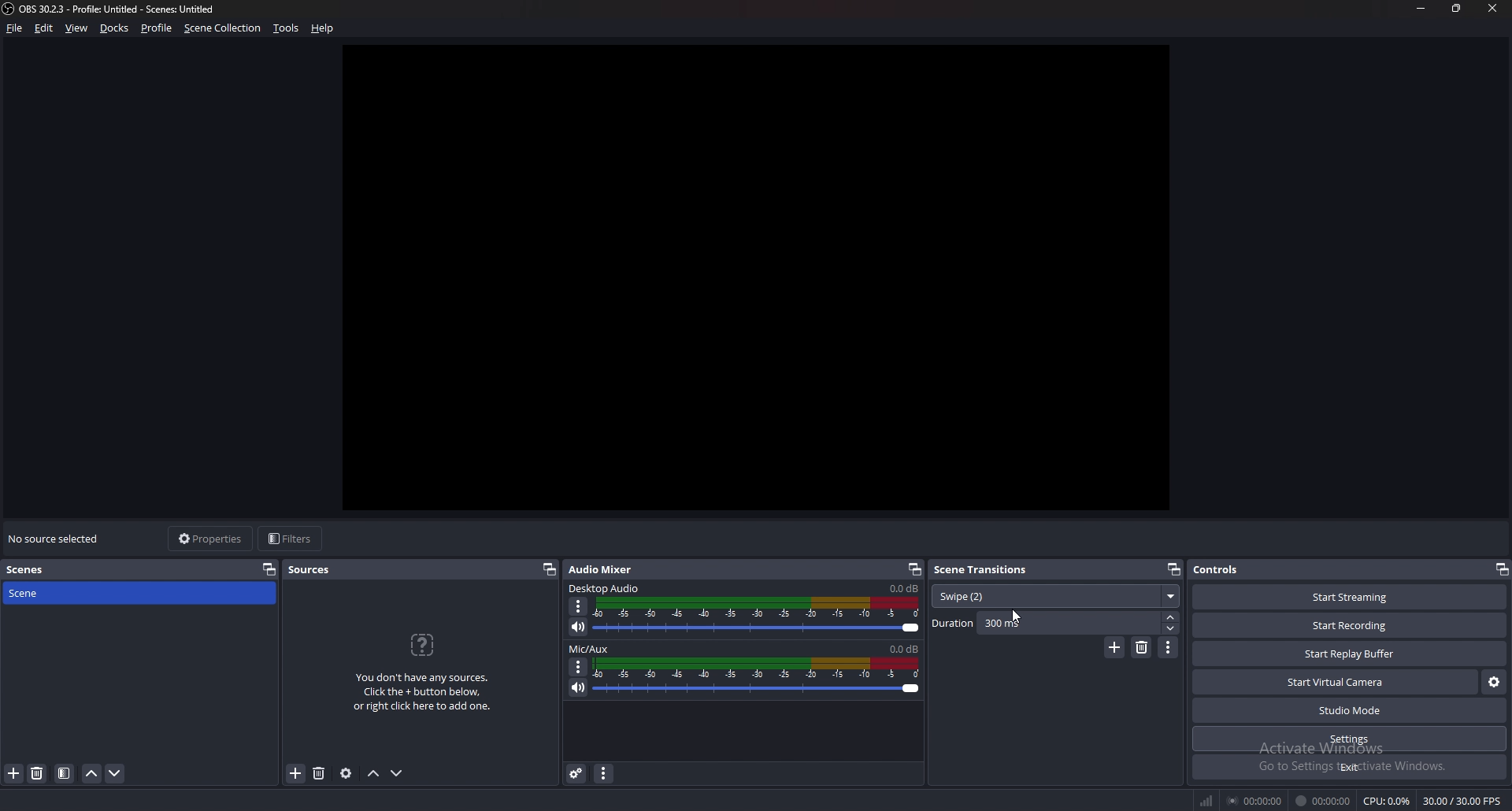  I want to click on title, so click(113, 9).